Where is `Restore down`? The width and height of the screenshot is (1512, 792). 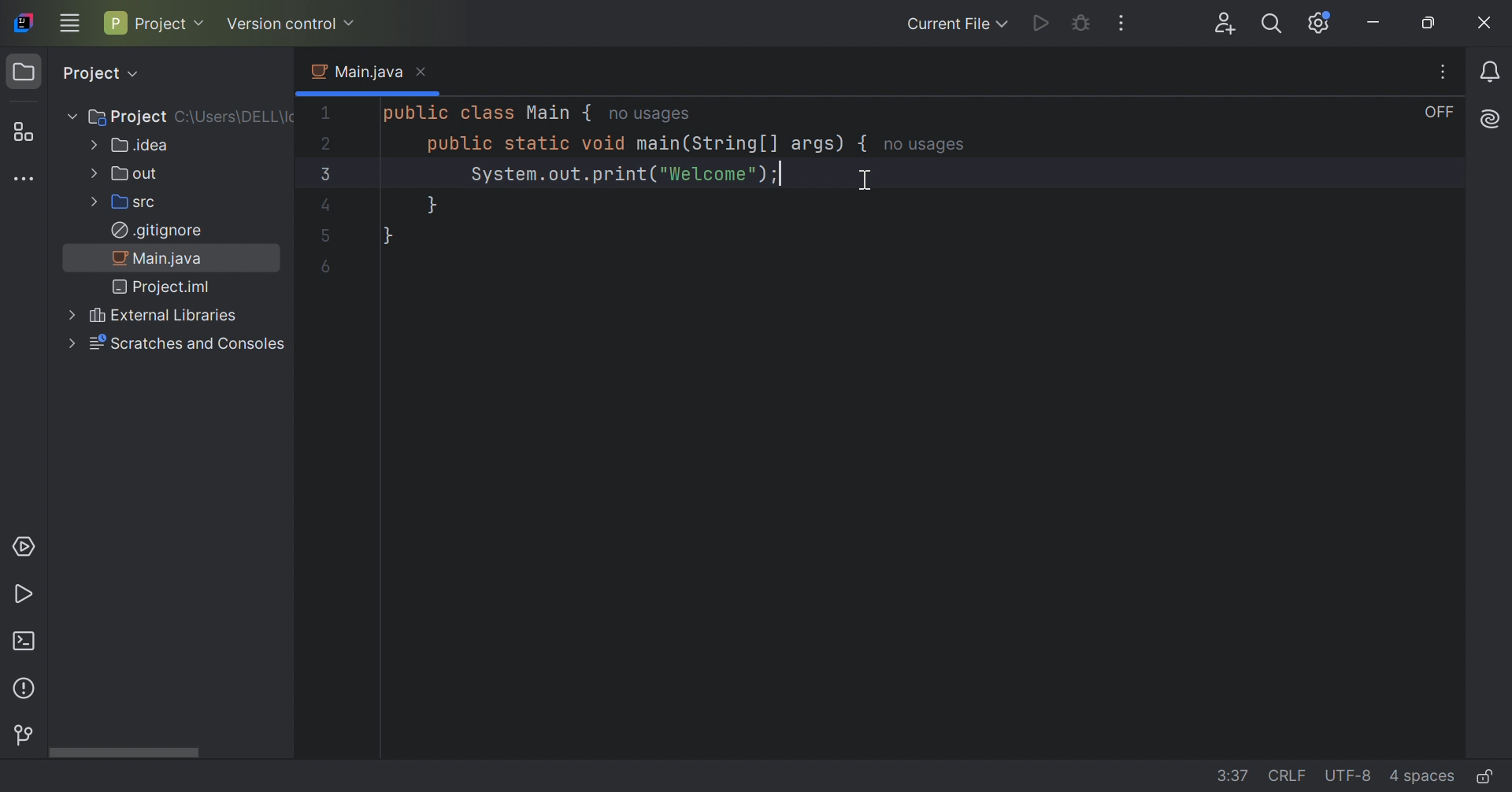 Restore down is located at coordinates (1429, 24).